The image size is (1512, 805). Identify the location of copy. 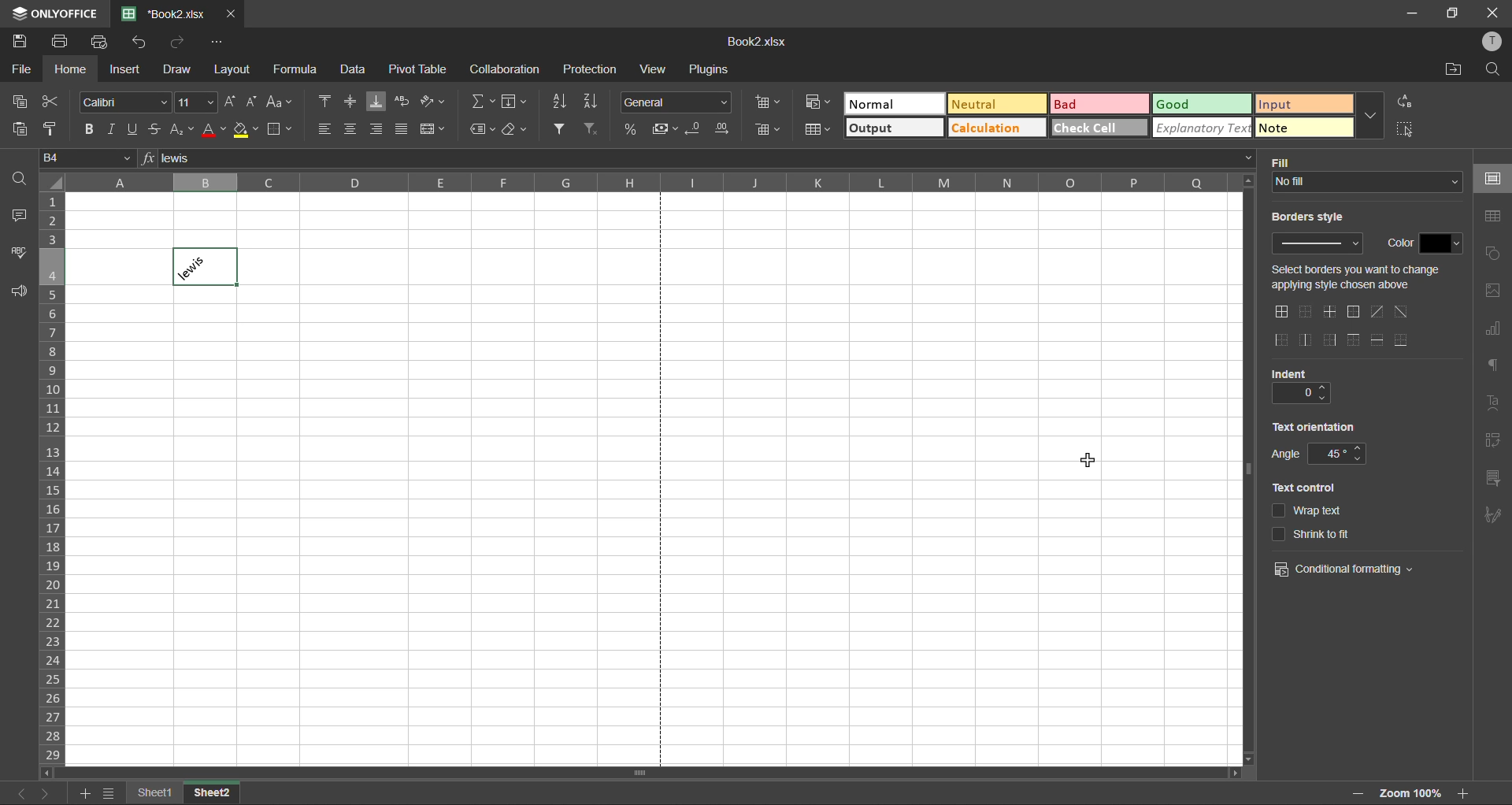
(23, 102).